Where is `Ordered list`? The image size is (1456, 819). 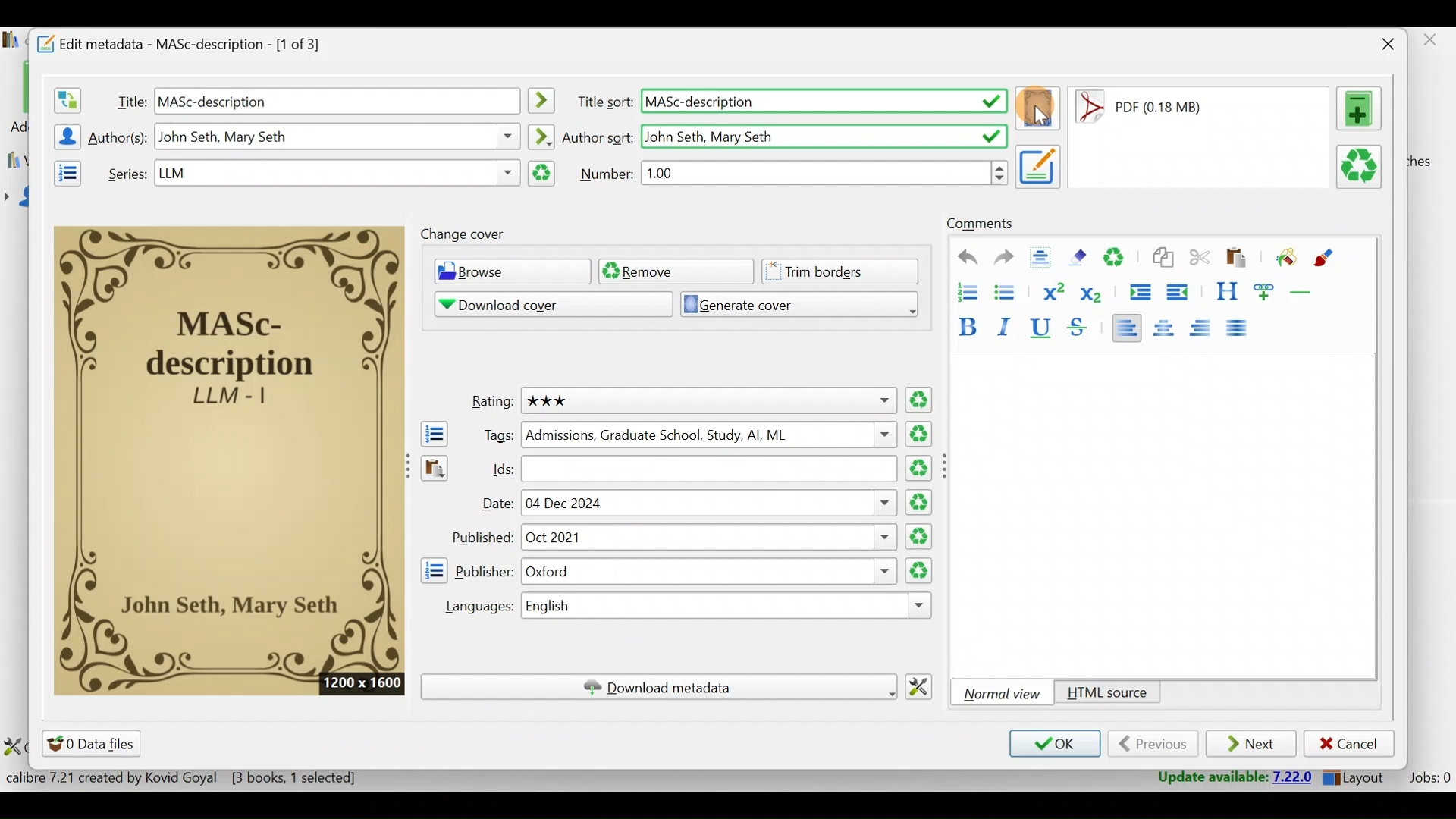
Ordered list is located at coordinates (962, 290).